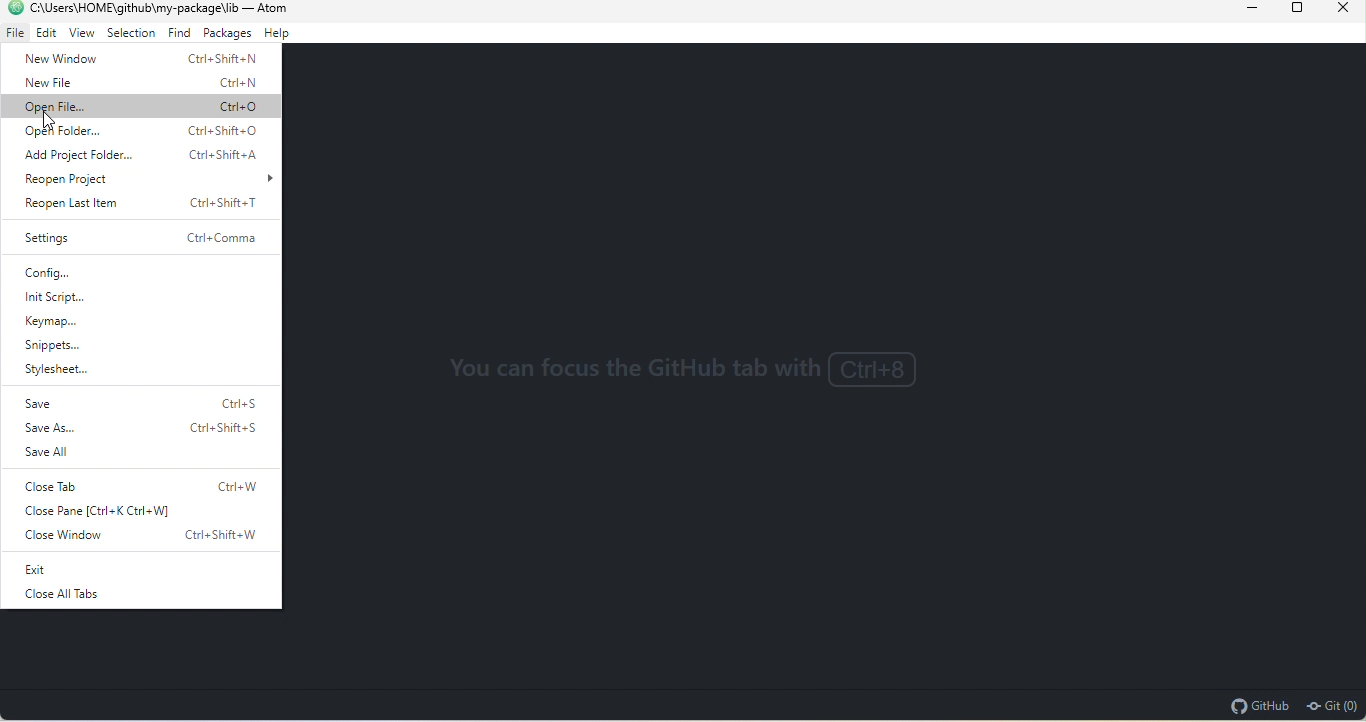 Image resolution: width=1366 pixels, height=722 pixels. What do you see at coordinates (1258, 705) in the screenshot?
I see `github` at bounding box center [1258, 705].